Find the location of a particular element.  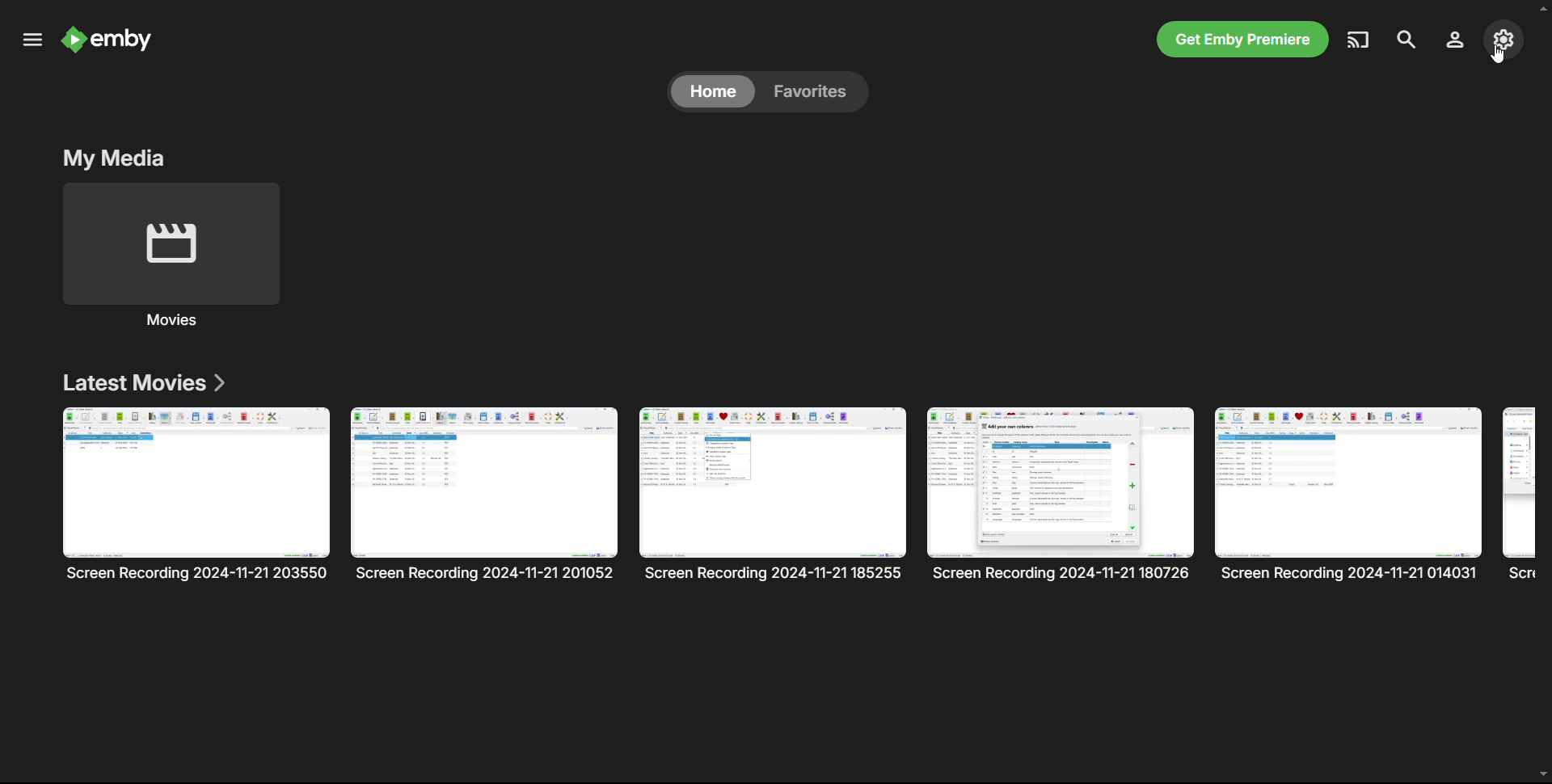

movies  is located at coordinates (172, 243).